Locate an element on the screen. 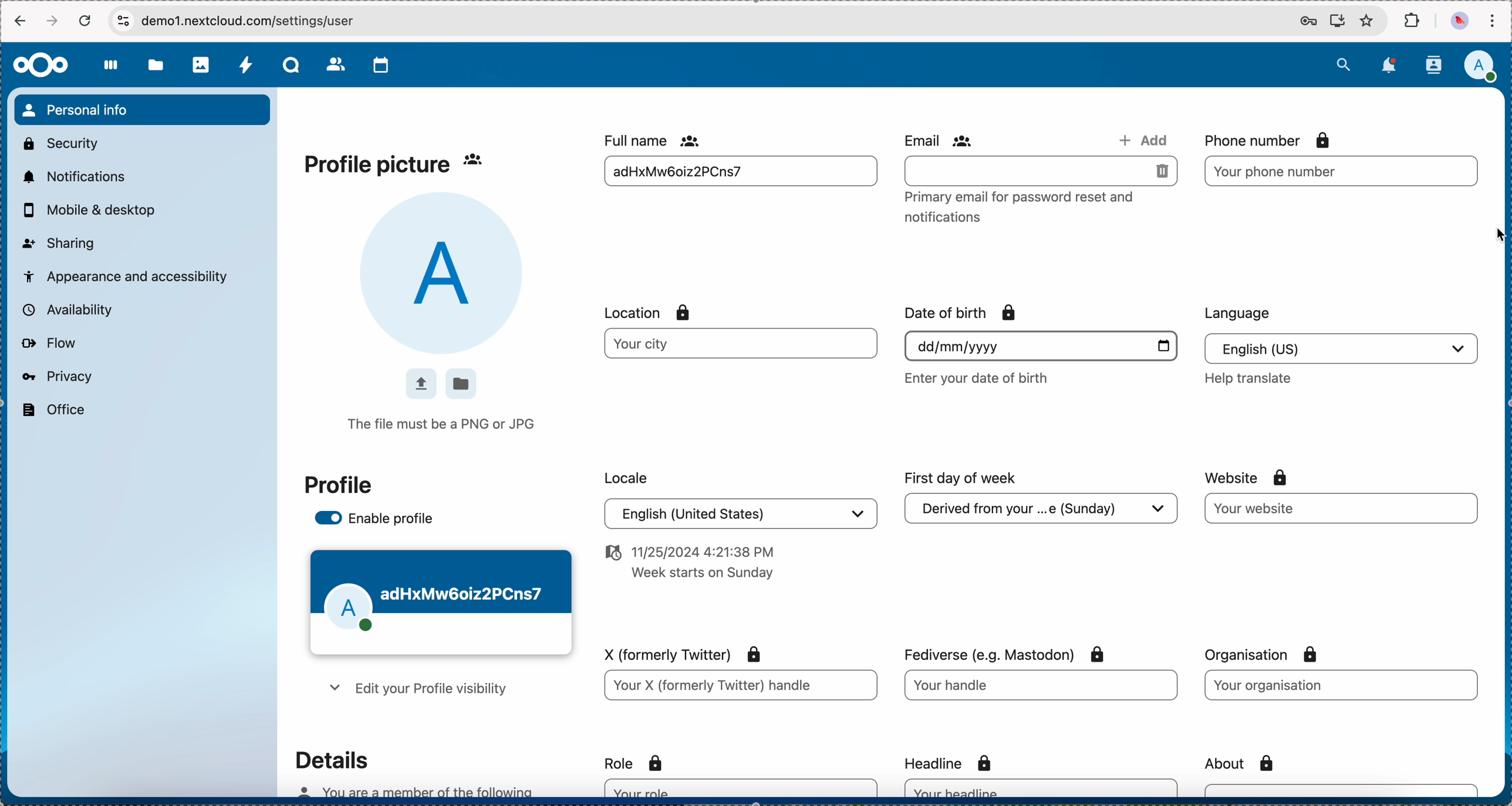  help translate is located at coordinates (1247, 378).